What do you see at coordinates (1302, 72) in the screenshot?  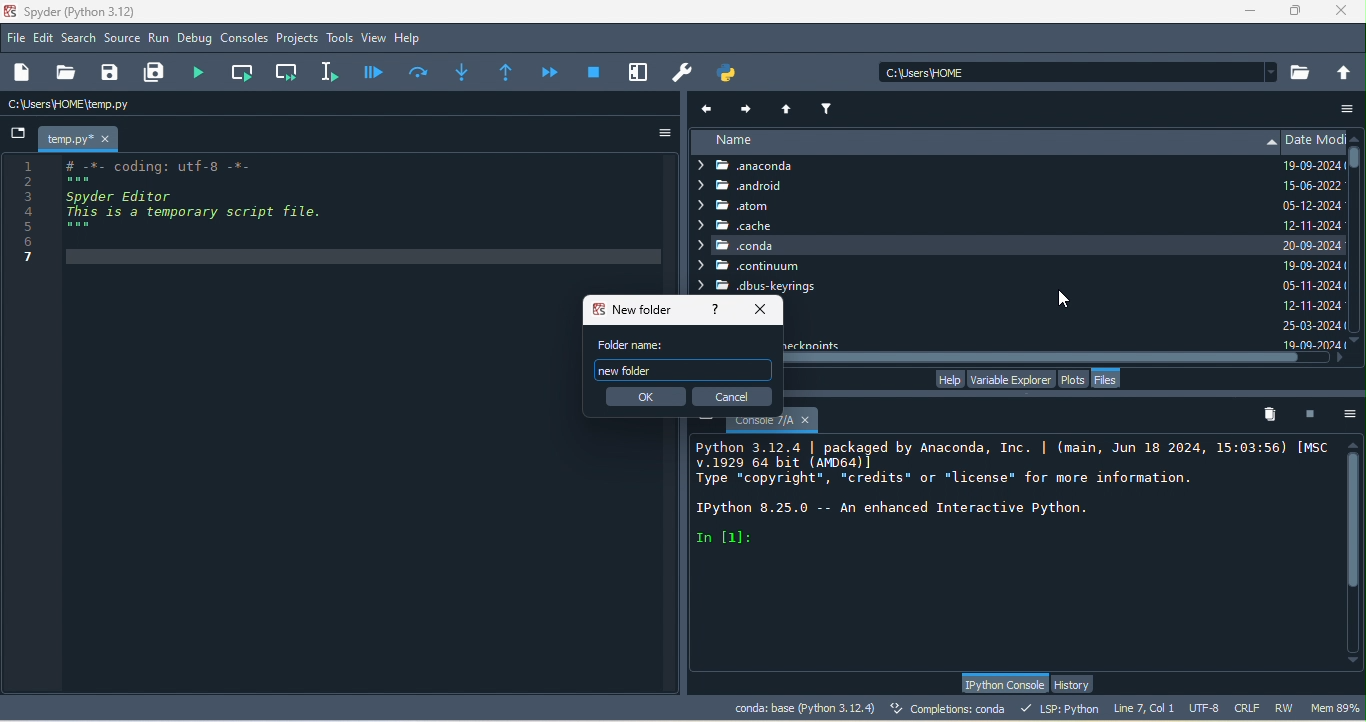 I see `browse` at bounding box center [1302, 72].